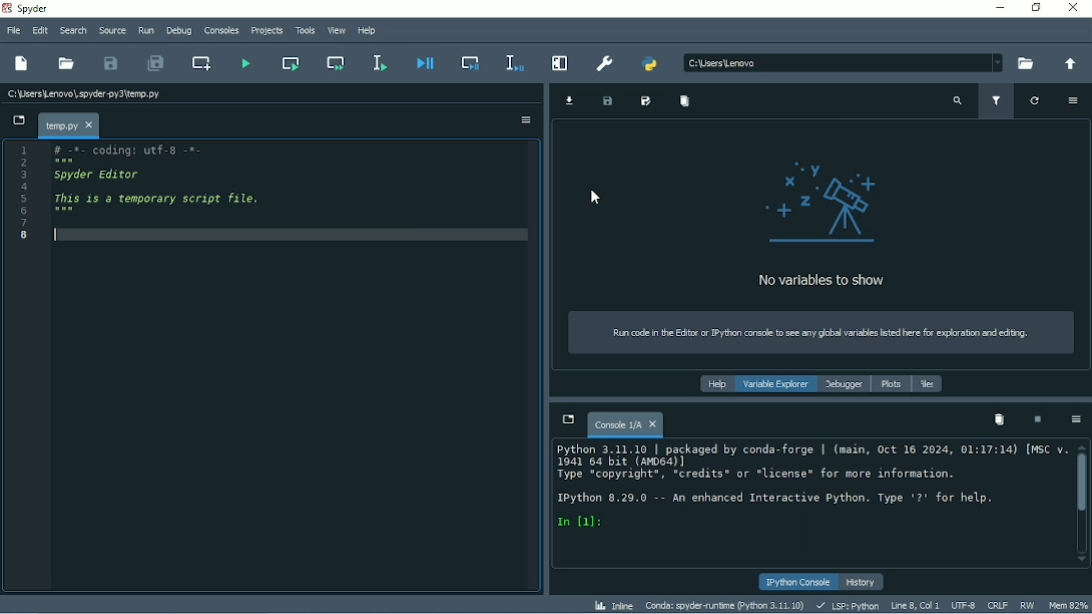  I want to click on UTF, so click(963, 604).